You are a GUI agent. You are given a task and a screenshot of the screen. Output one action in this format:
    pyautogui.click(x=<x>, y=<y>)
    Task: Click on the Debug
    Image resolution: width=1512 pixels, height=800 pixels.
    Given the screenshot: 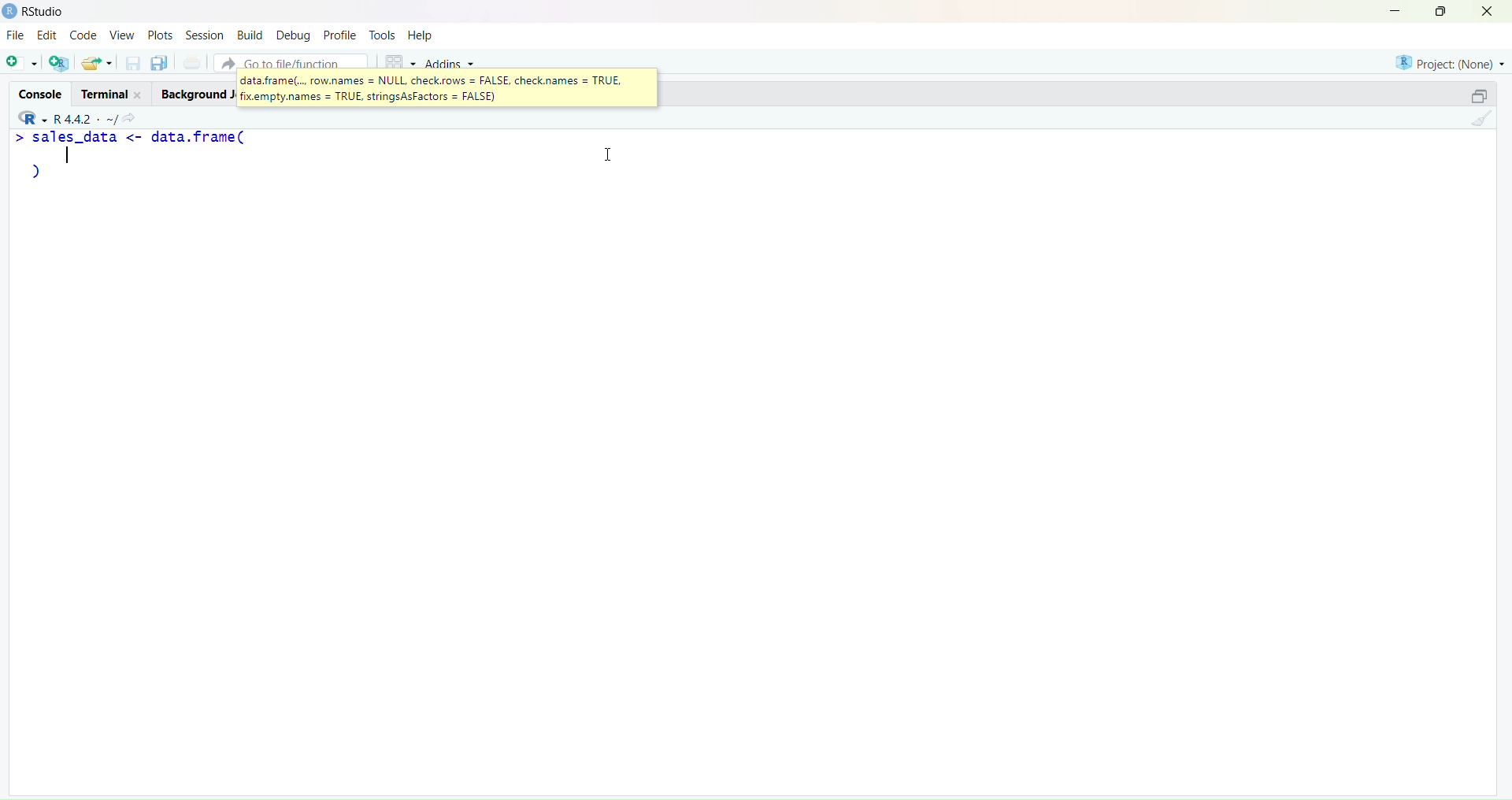 What is the action you would take?
    pyautogui.click(x=293, y=35)
    